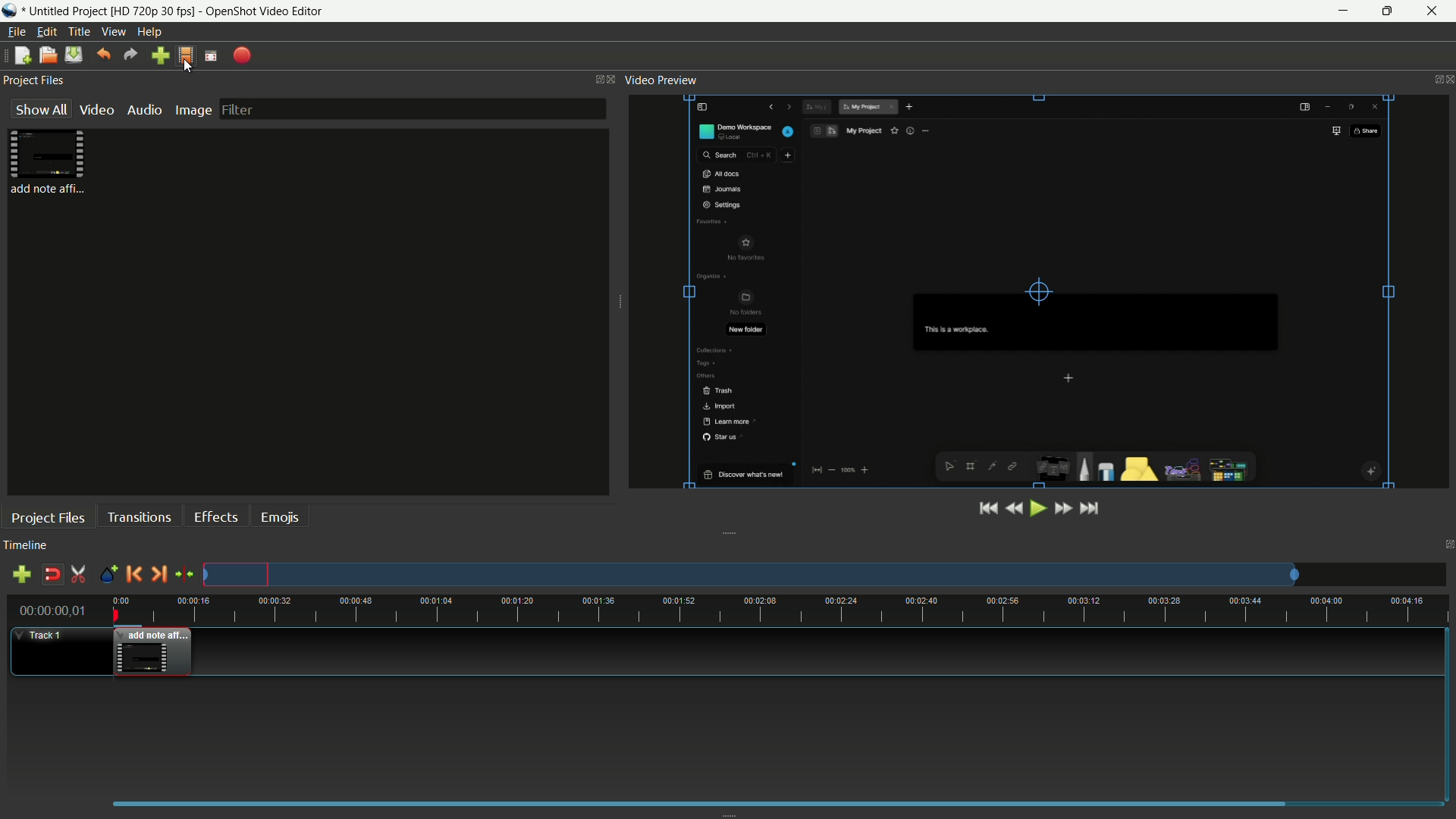 The width and height of the screenshot is (1456, 819). Describe the element at coordinates (613, 78) in the screenshot. I see `close project files` at that location.